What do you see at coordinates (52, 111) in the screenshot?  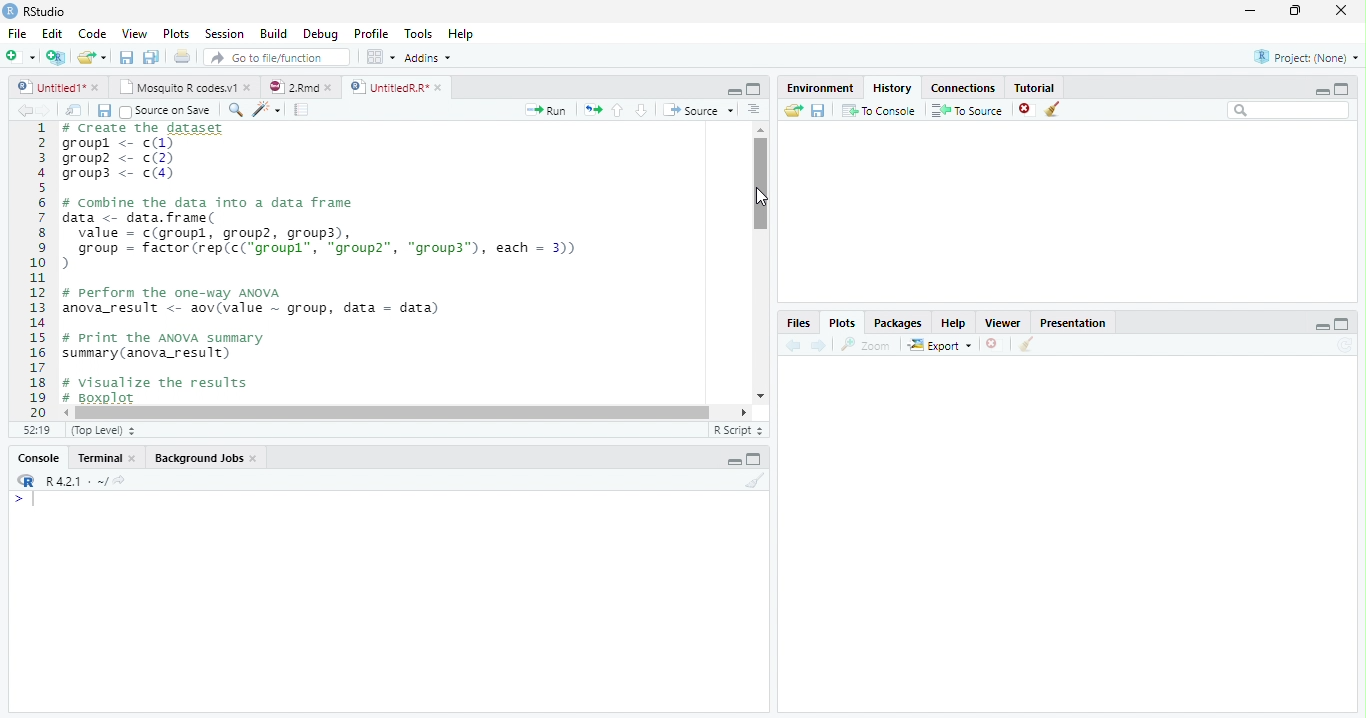 I see `Next` at bounding box center [52, 111].